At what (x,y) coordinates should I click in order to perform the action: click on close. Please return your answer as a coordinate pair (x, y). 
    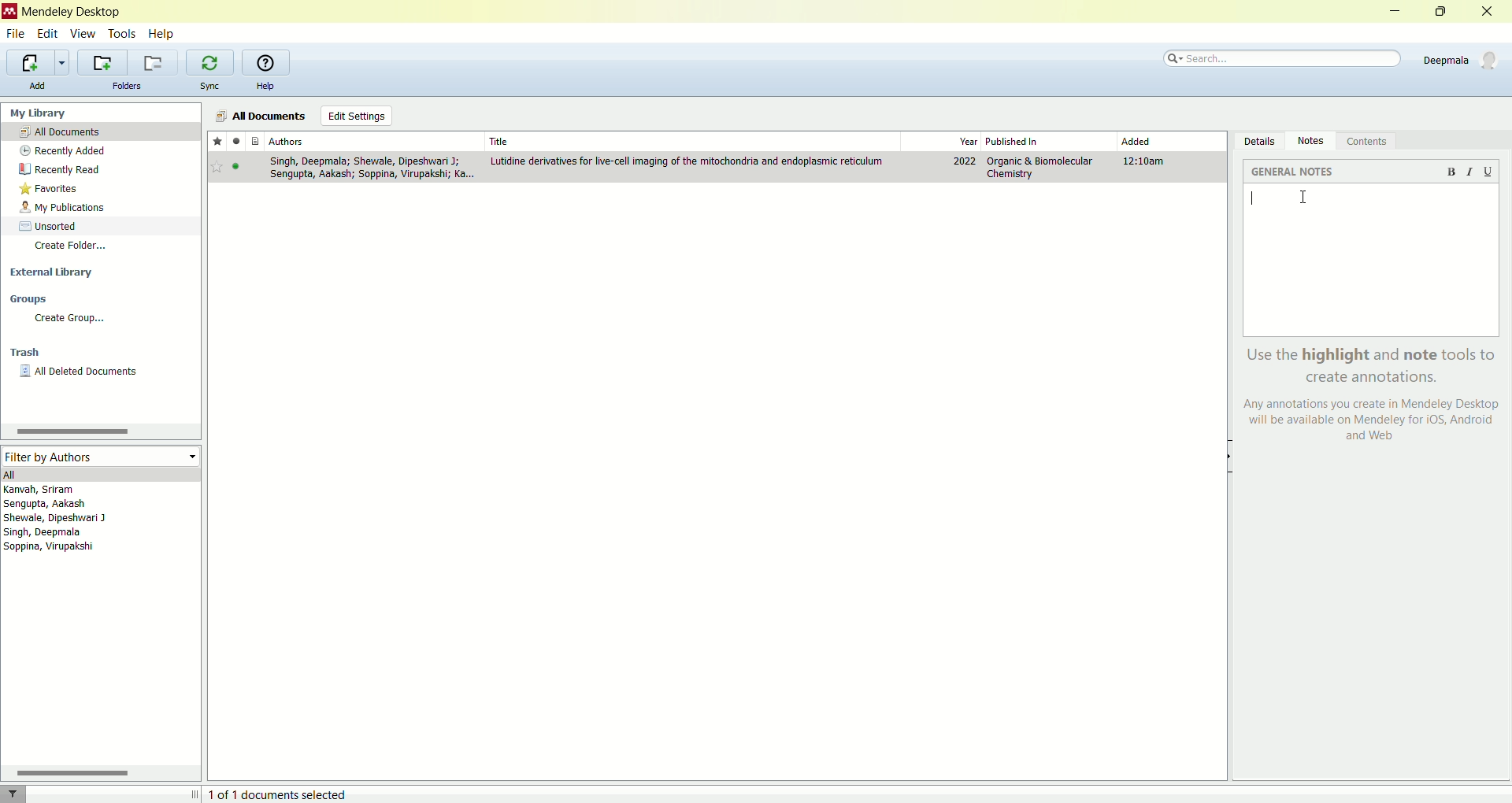
    Looking at the image, I should click on (1488, 12).